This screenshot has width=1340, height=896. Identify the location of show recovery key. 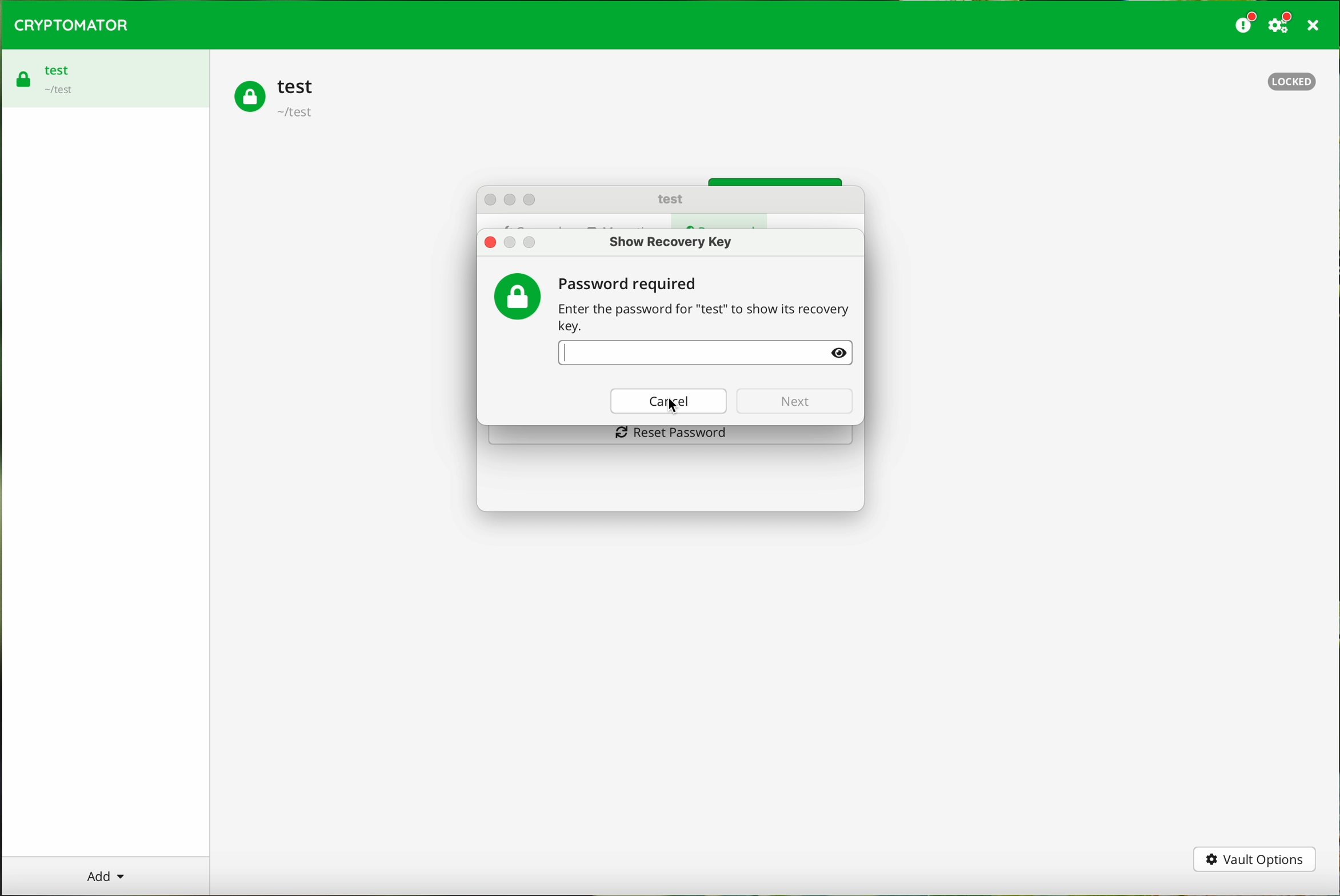
(669, 242).